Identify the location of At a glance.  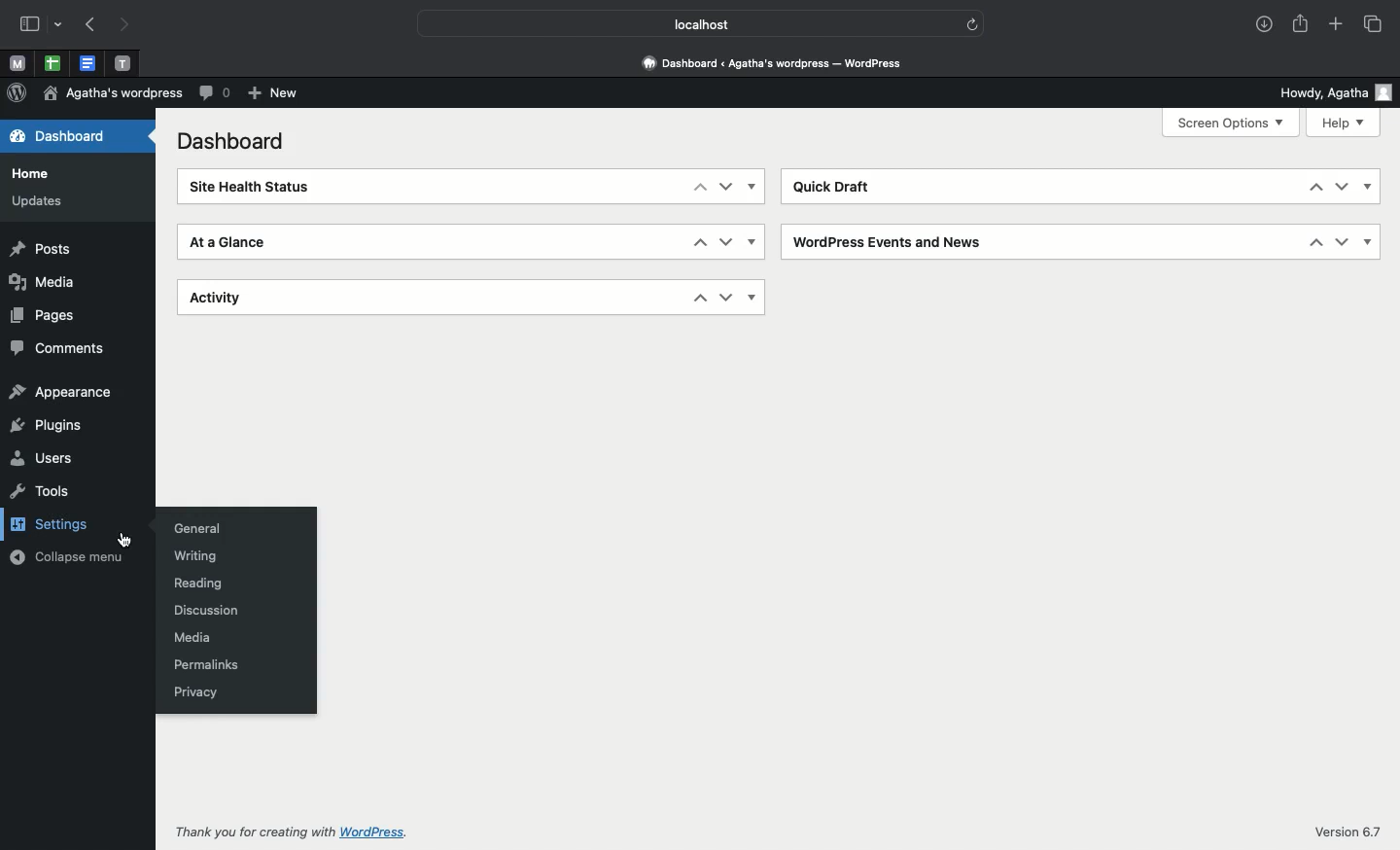
(228, 243).